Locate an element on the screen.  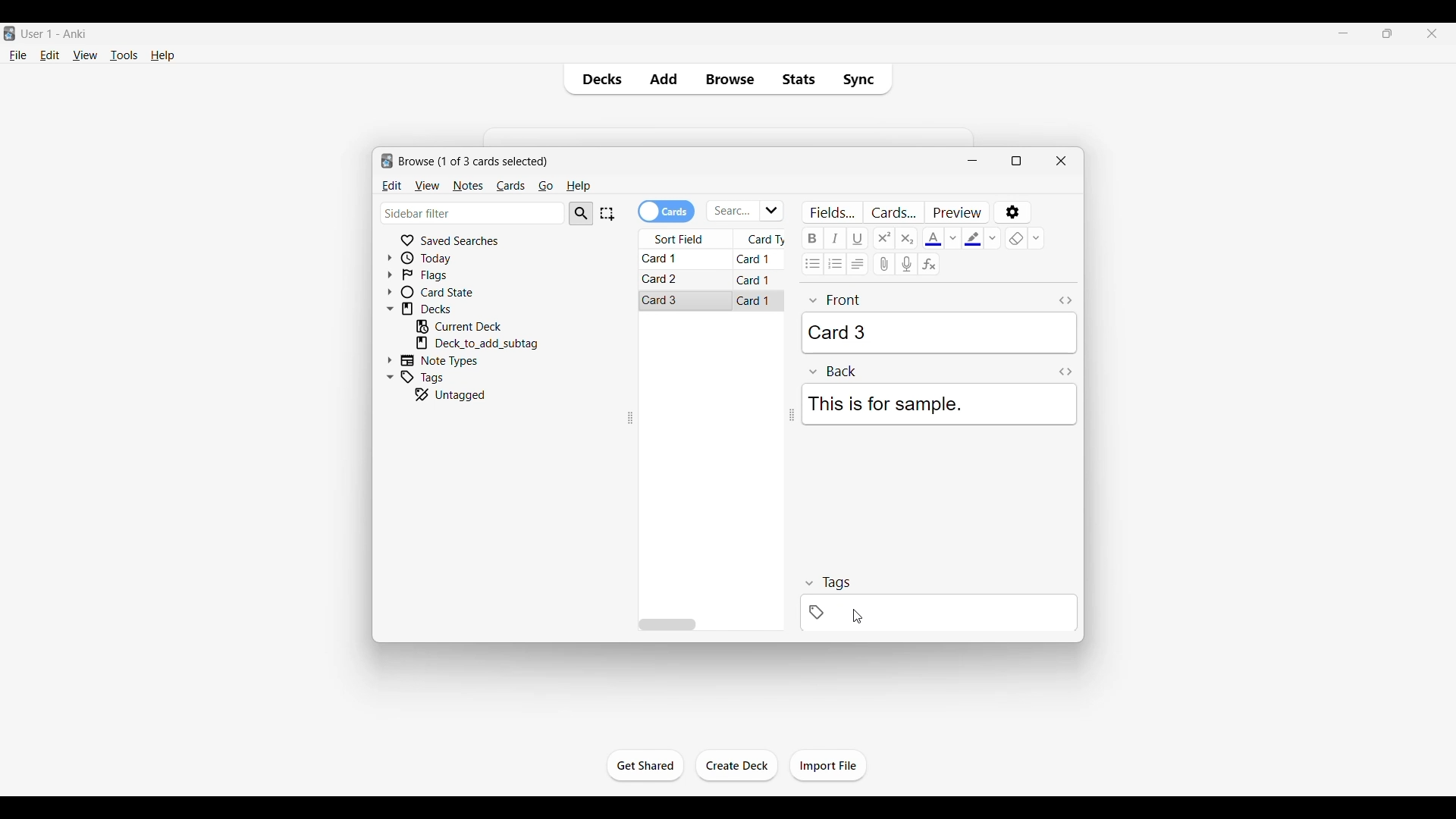
Card 2 is located at coordinates (663, 279).